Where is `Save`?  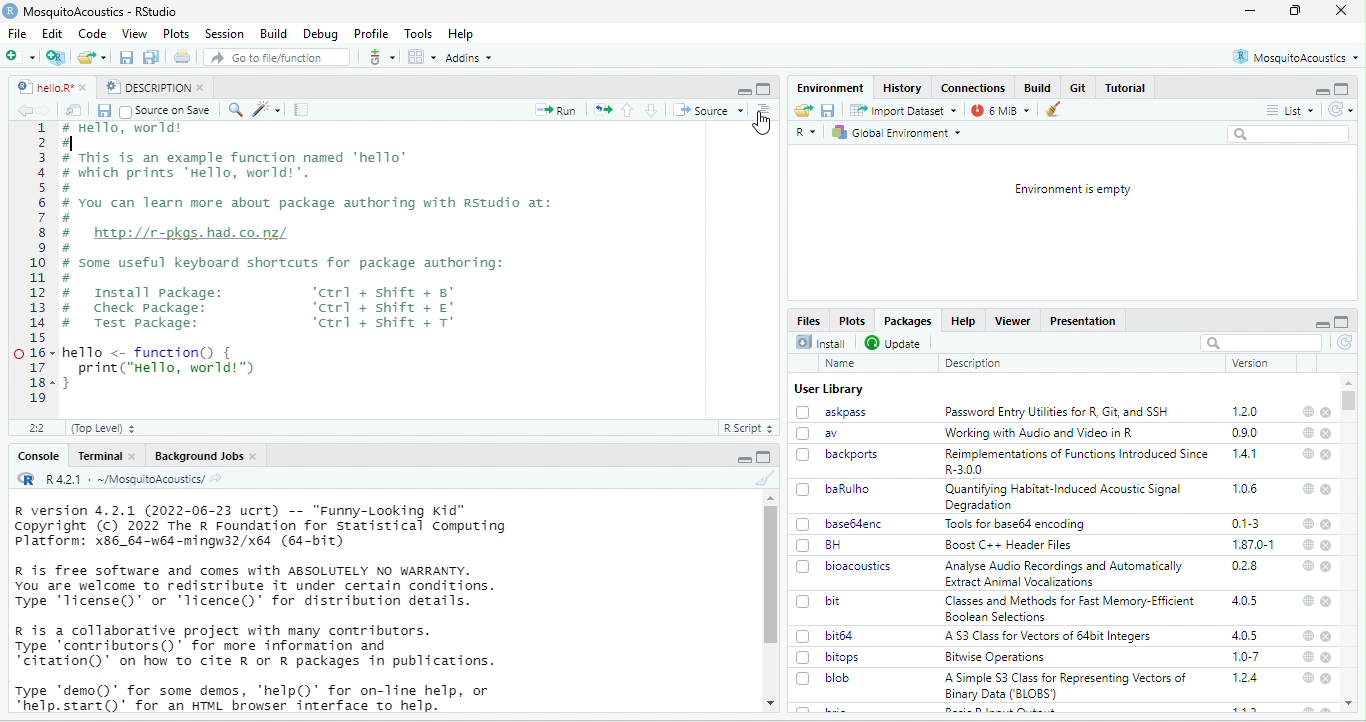
Save is located at coordinates (828, 110).